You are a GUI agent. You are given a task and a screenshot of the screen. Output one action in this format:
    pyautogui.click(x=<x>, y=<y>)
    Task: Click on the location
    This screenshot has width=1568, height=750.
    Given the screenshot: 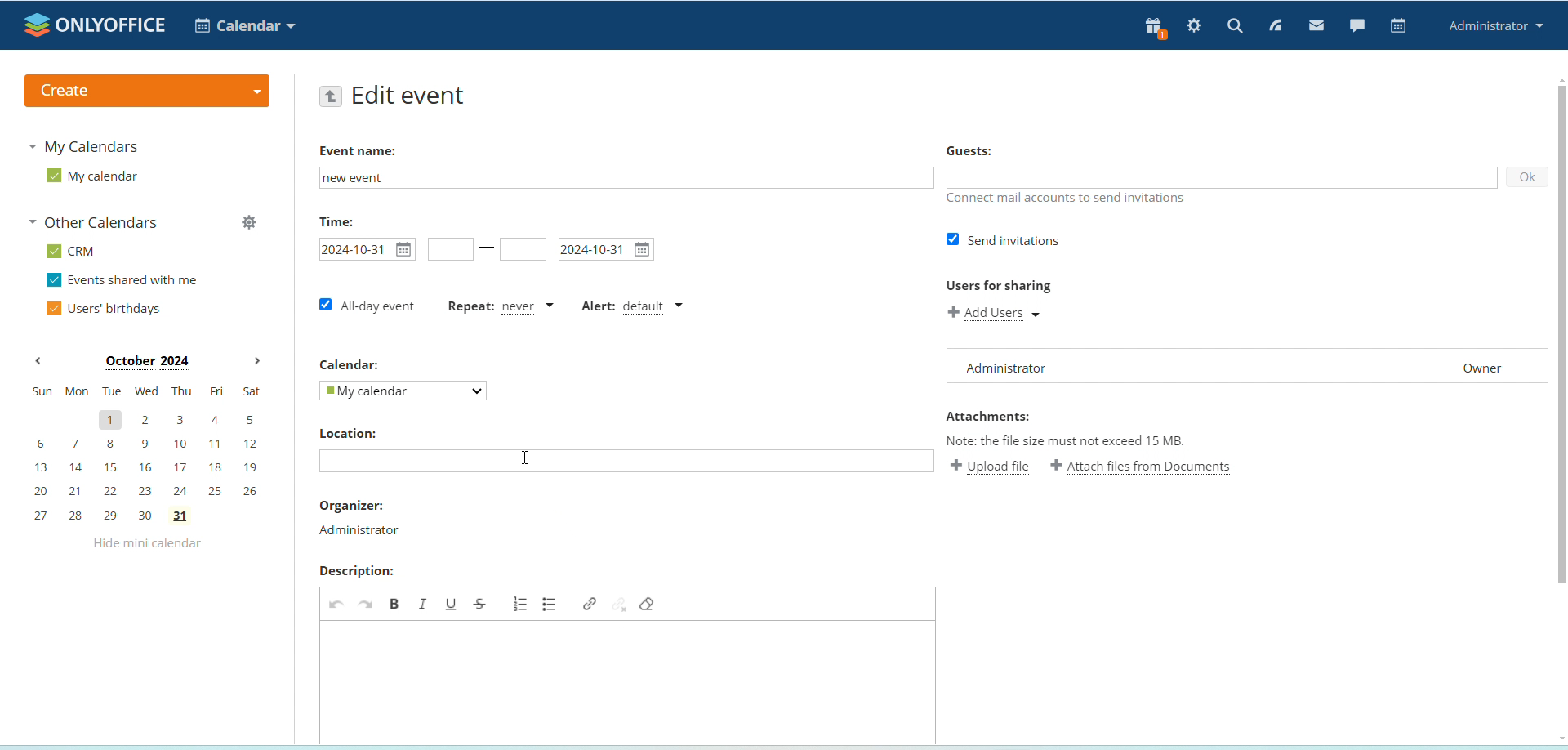 What is the action you would take?
    pyautogui.click(x=347, y=434)
    